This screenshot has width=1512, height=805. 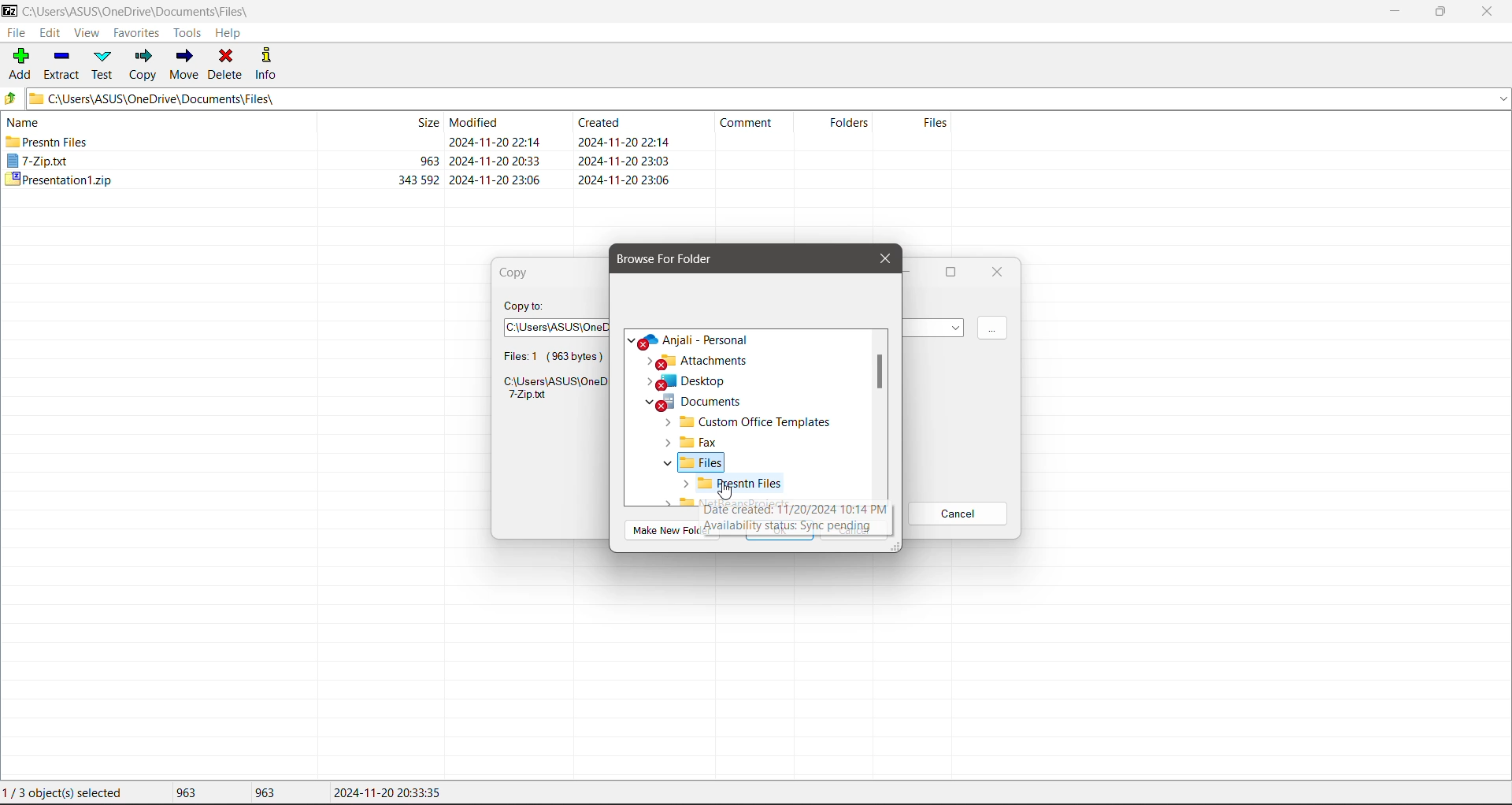 What do you see at coordinates (688, 382) in the screenshot?
I see `Desktop` at bounding box center [688, 382].